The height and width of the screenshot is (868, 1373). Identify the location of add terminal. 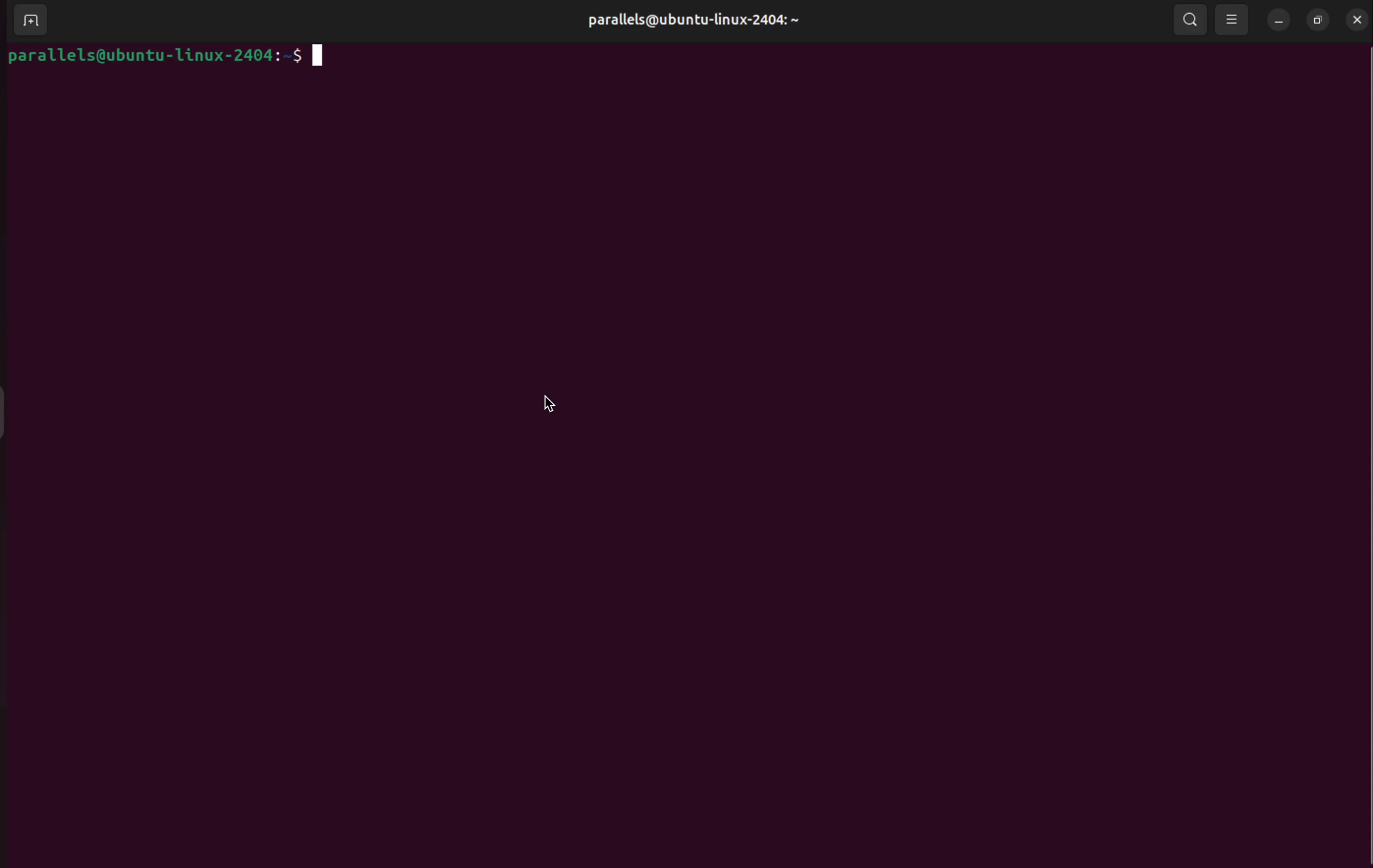
(26, 19).